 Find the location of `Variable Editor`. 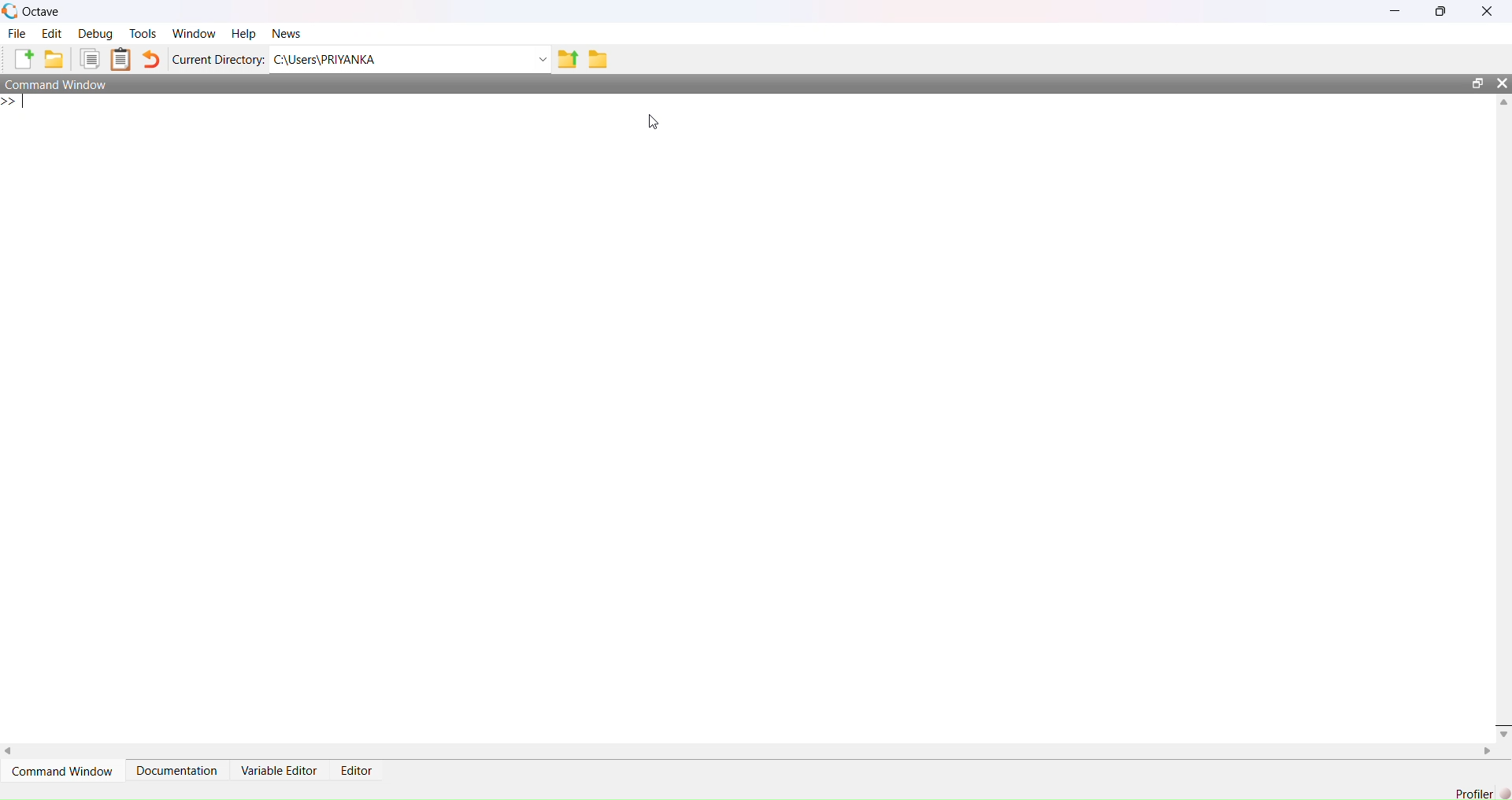

Variable Editor is located at coordinates (280, 770).